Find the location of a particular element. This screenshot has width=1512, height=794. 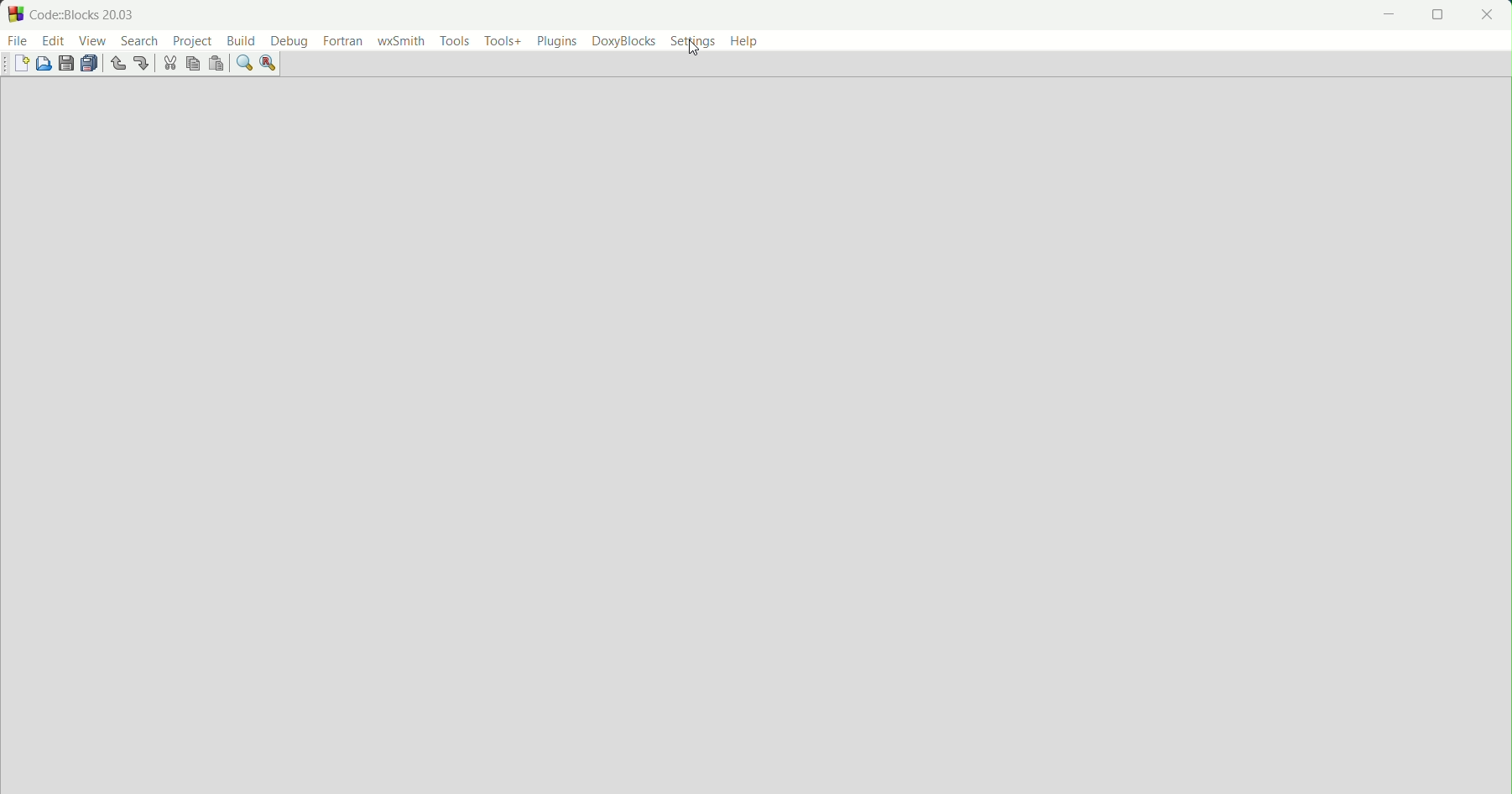

title and logo is located at coordinates (73, 13).